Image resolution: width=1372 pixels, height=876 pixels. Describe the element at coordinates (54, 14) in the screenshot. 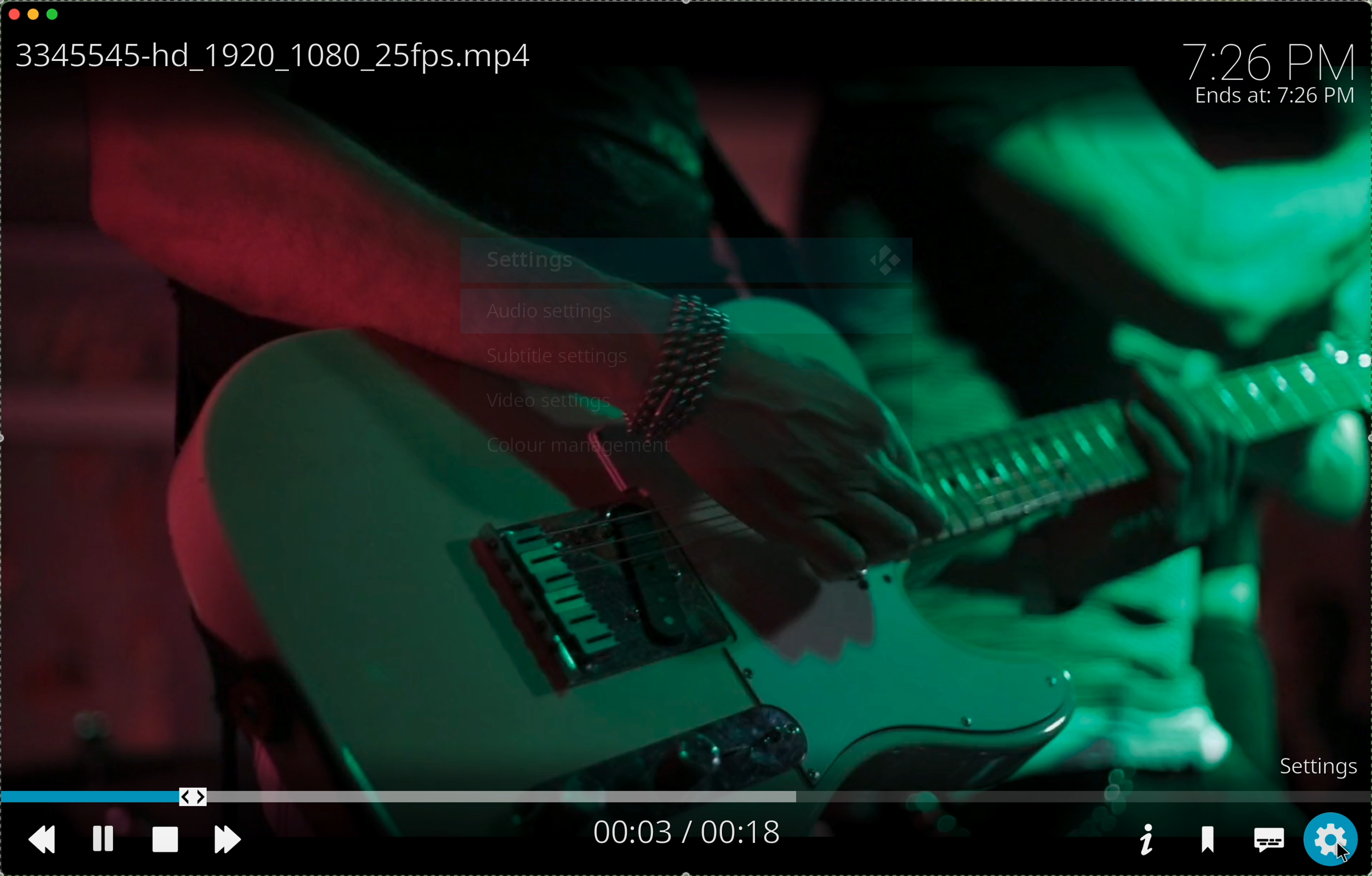

I see `maximise` at that location.